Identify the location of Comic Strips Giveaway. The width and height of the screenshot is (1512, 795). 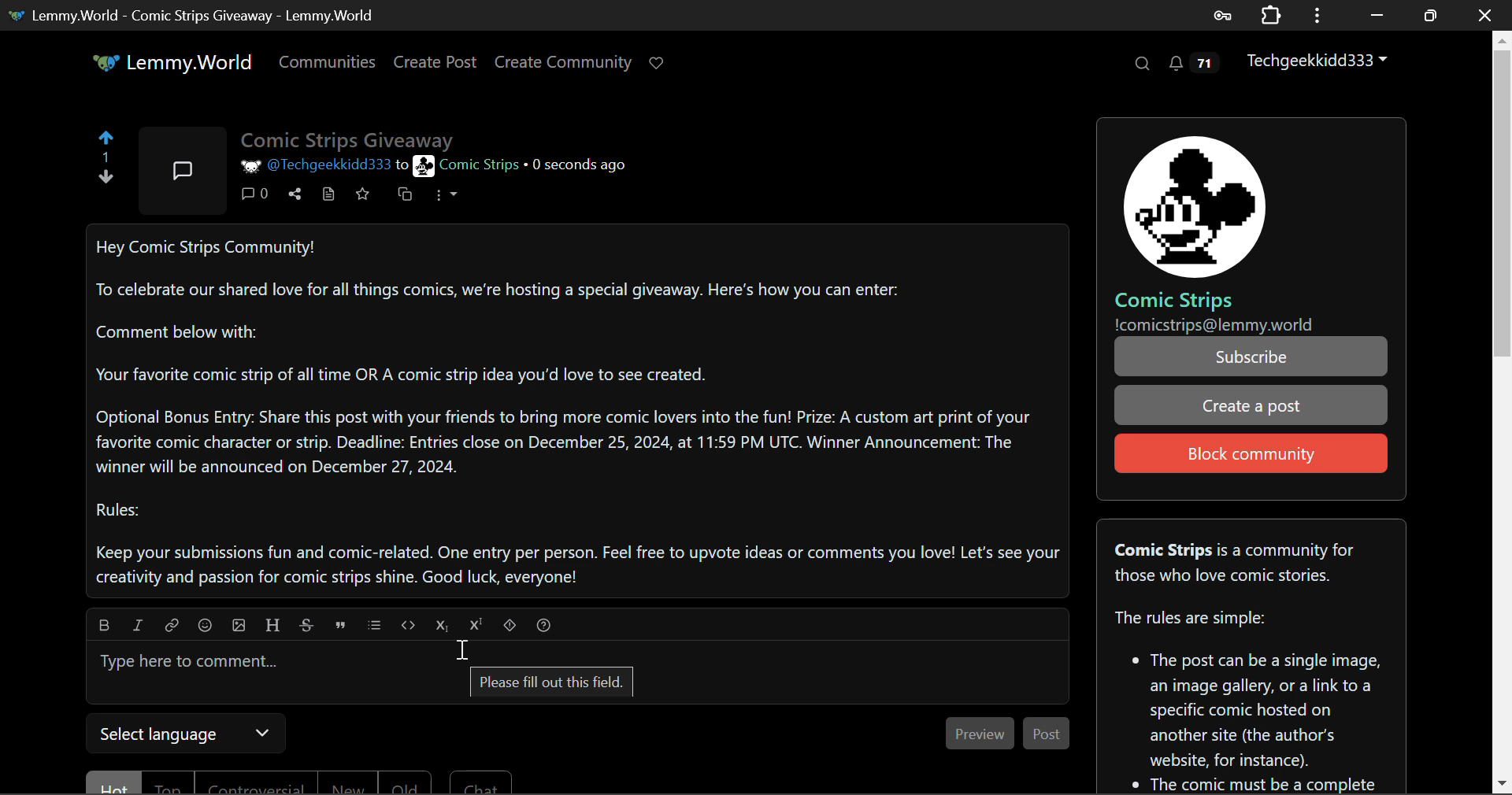
(350, 135).